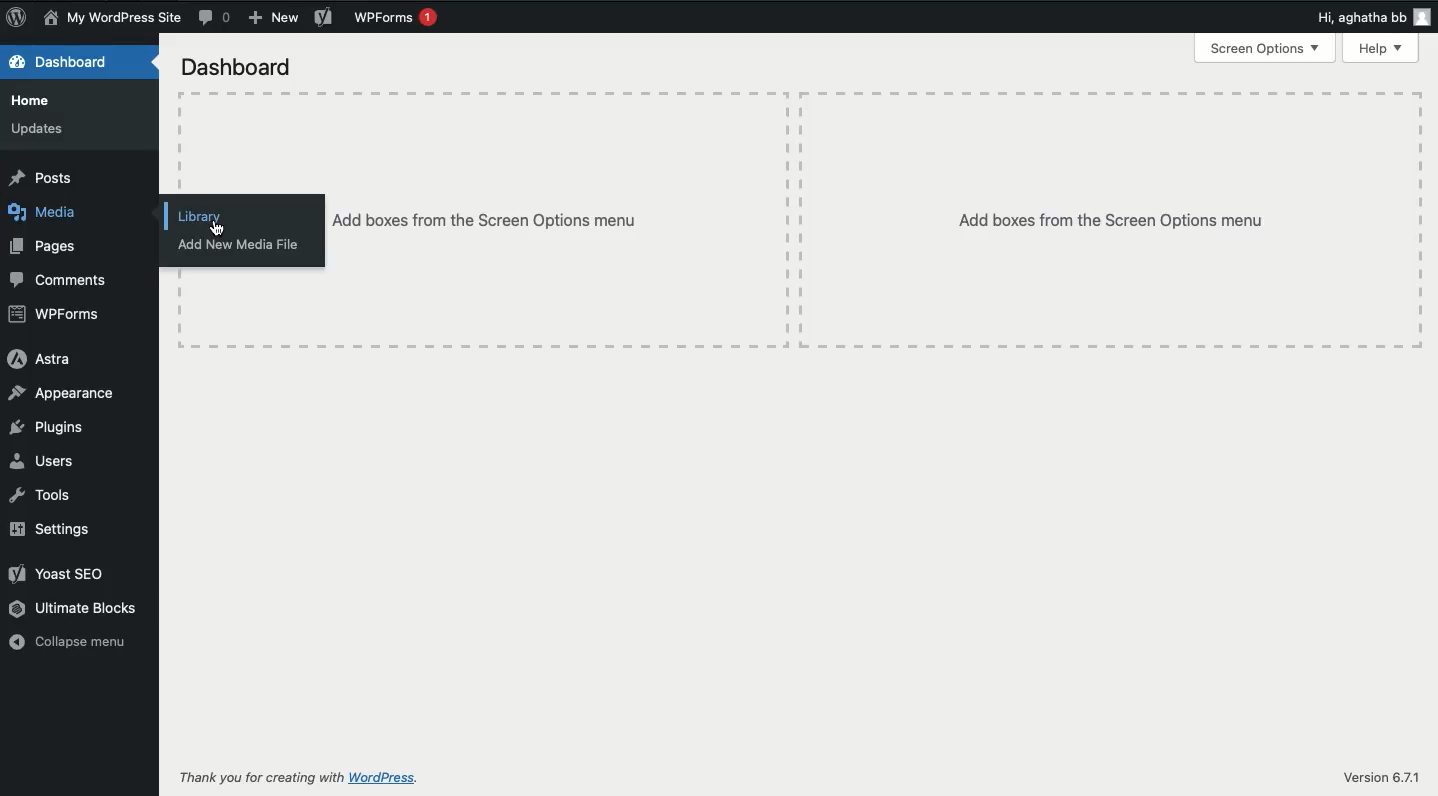  What do you see at coordinates (71, 641) in the screenshot?
I see `Collapse menu` at bounding box center [71, 641].